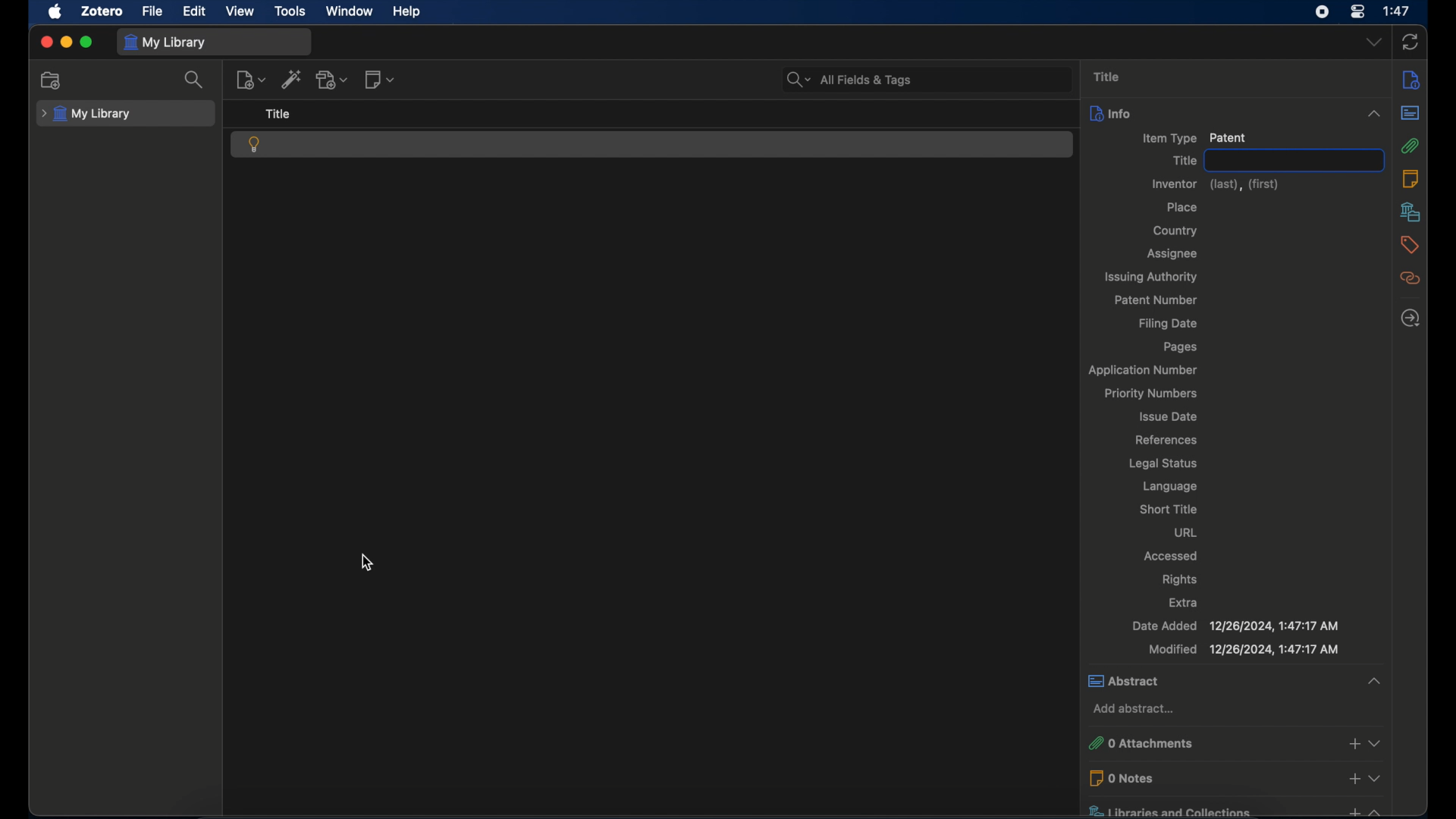  Describe the element at coordinates (194, 81) in the screenshot. I see `search` at that location.